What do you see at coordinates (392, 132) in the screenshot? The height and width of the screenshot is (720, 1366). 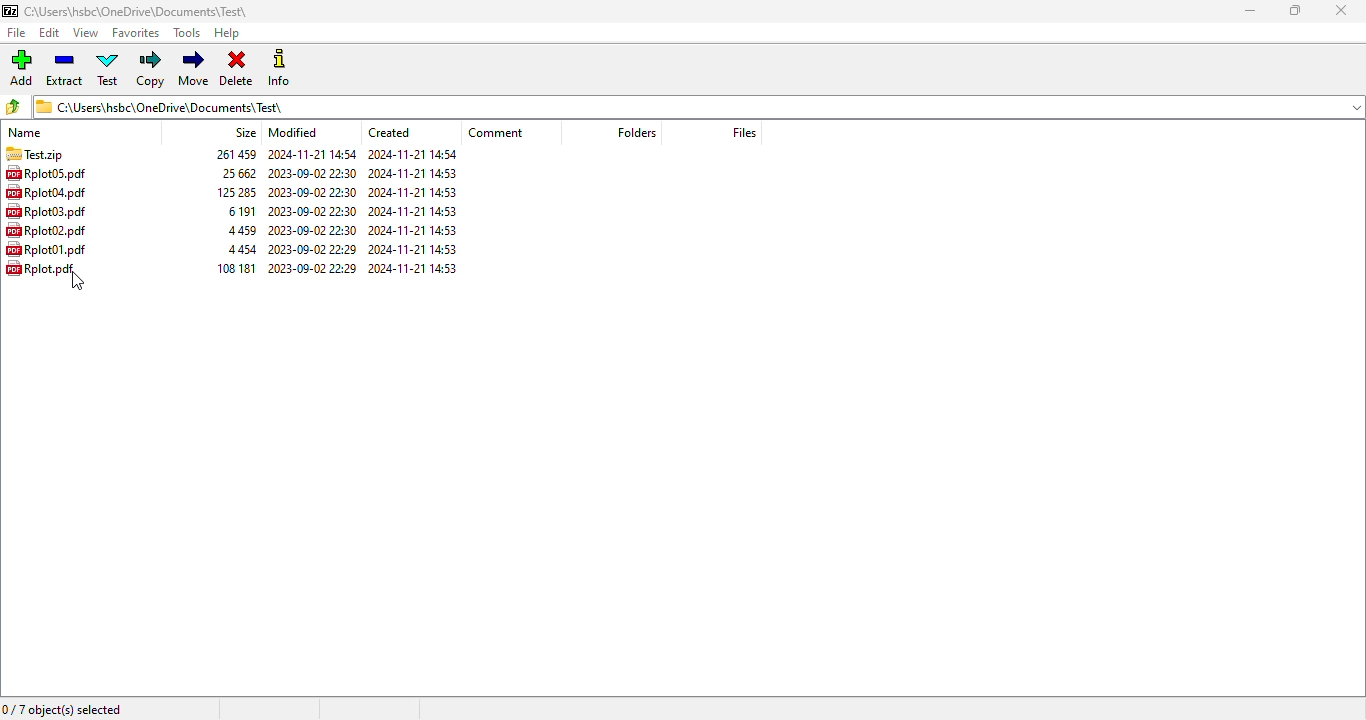 I see `created` at bounding box center [392, 132].